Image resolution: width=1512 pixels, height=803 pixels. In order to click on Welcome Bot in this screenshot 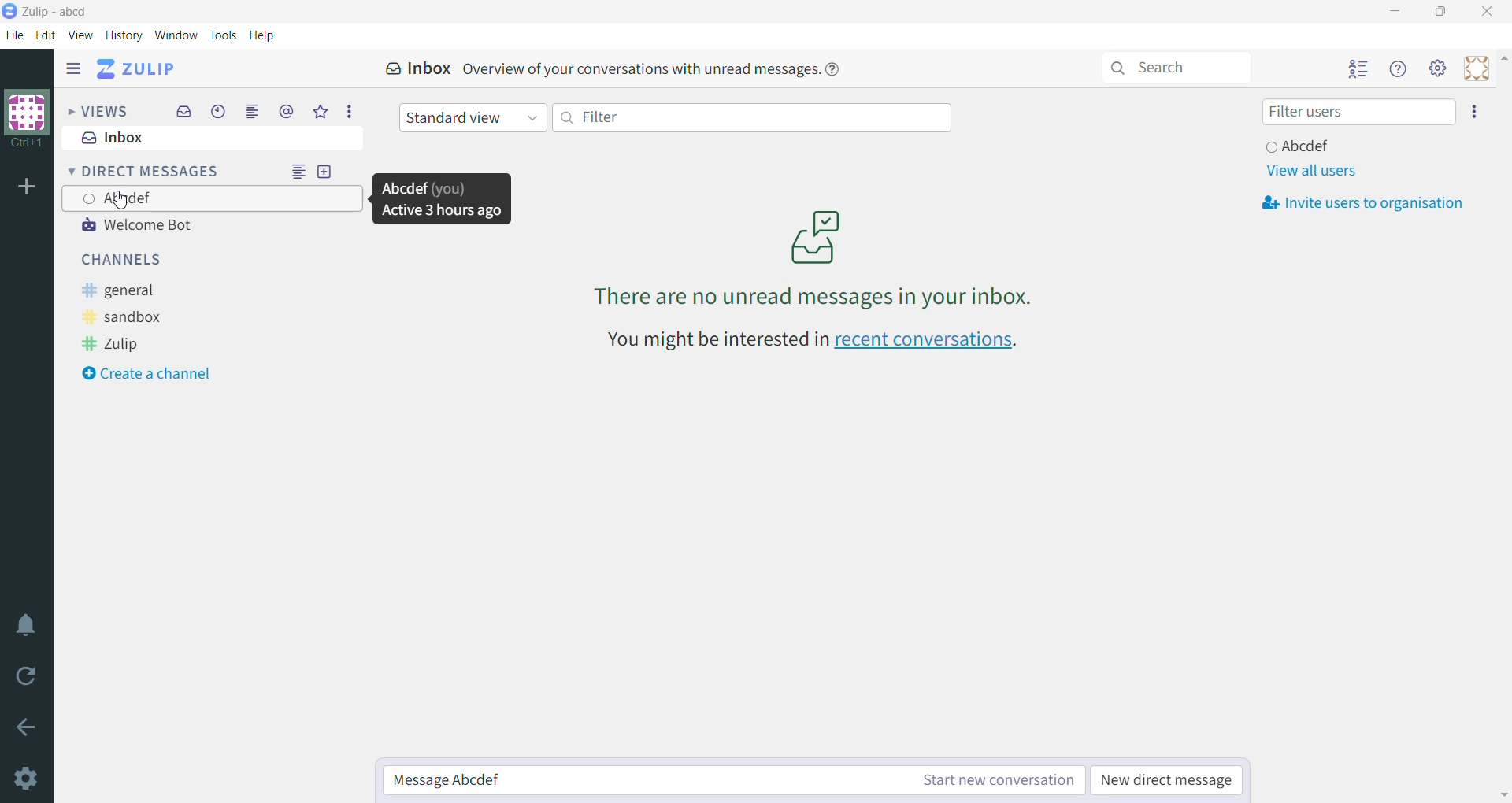, I will do `click(157, 228)`.